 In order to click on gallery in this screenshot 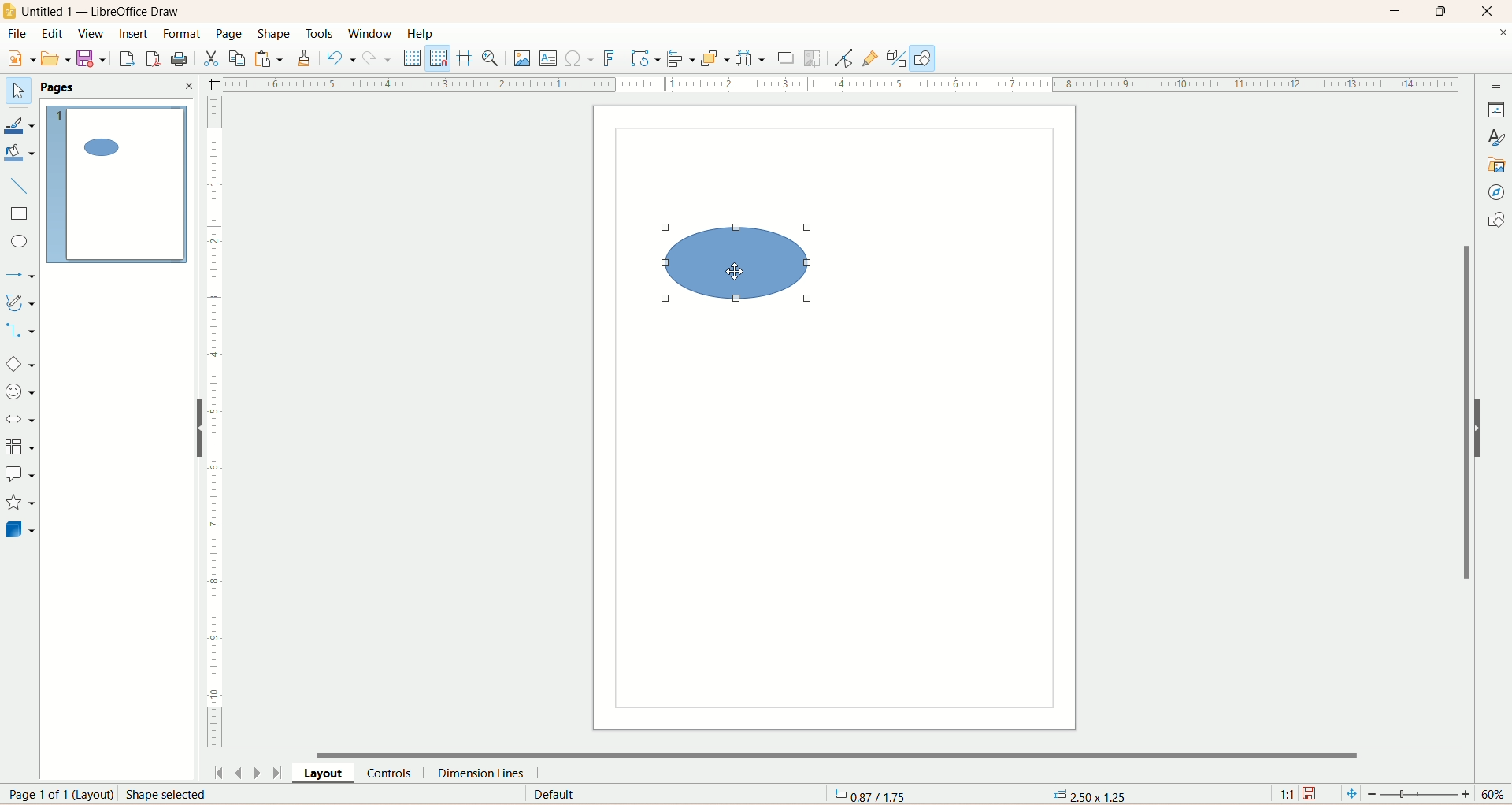, I will do `click(1498, 167)`.